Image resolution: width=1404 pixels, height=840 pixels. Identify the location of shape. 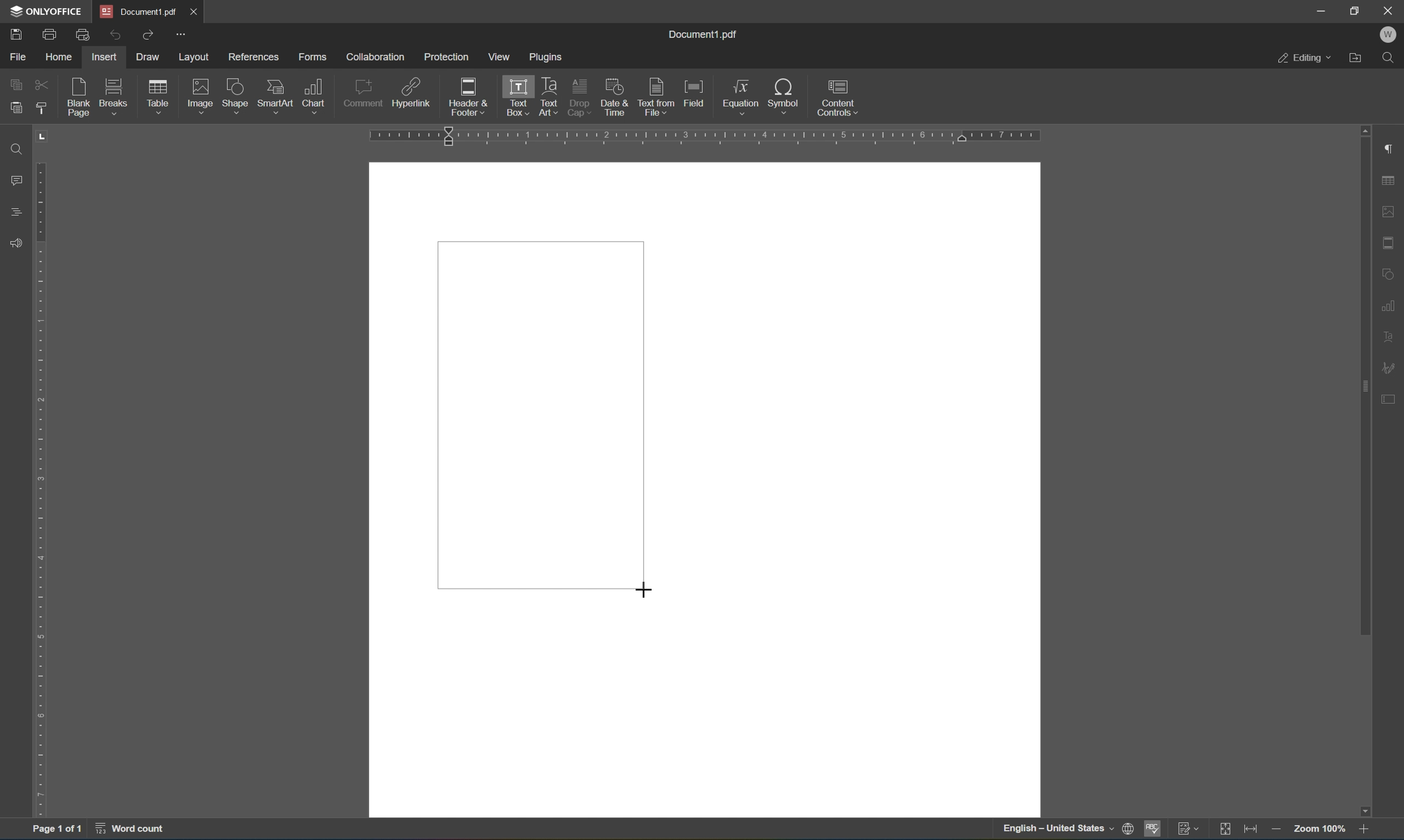
(238, 97).